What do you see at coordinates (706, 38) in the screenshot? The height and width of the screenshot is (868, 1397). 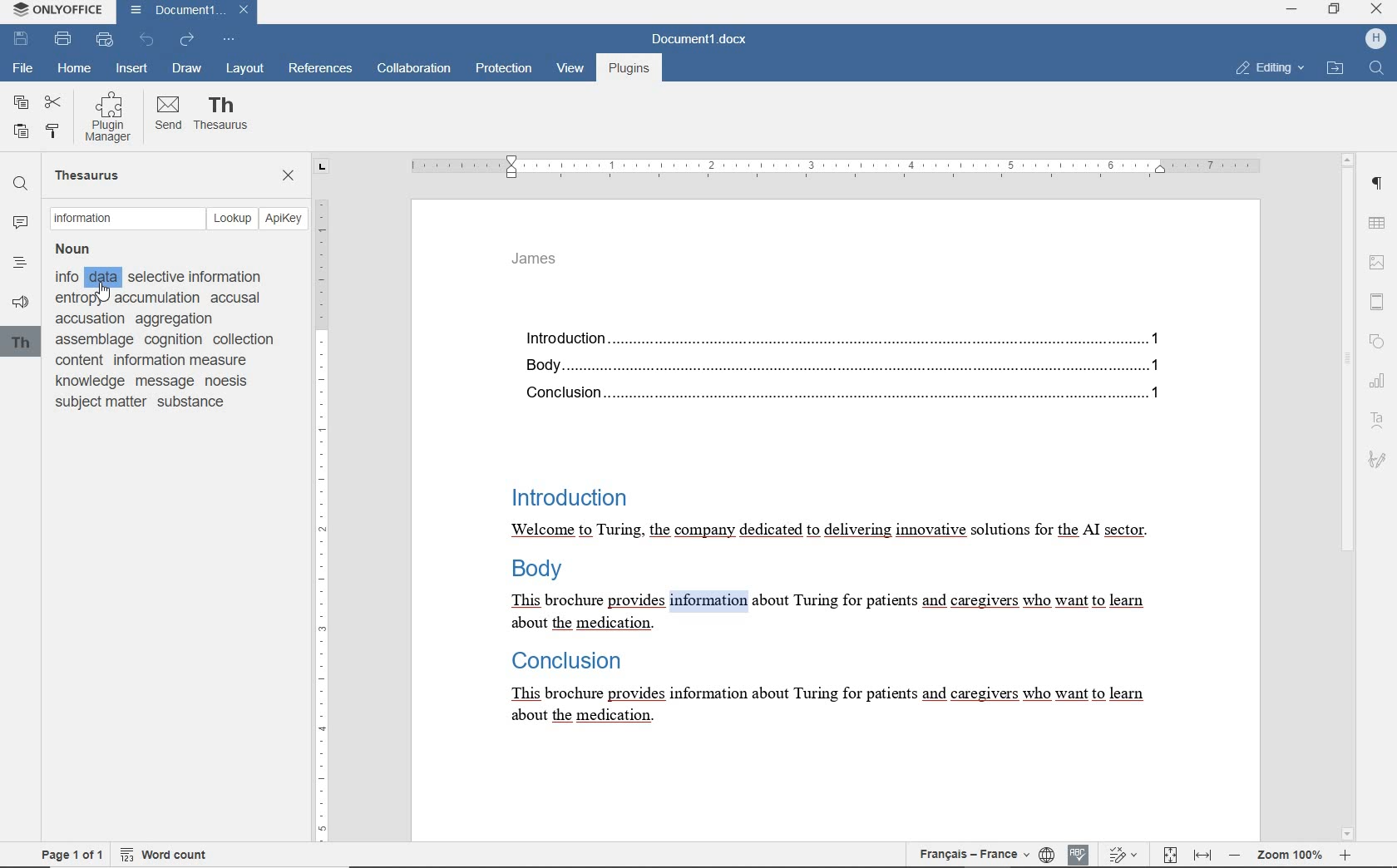 I see `DOCUMENT NAME` at bounding box center [706, 38].